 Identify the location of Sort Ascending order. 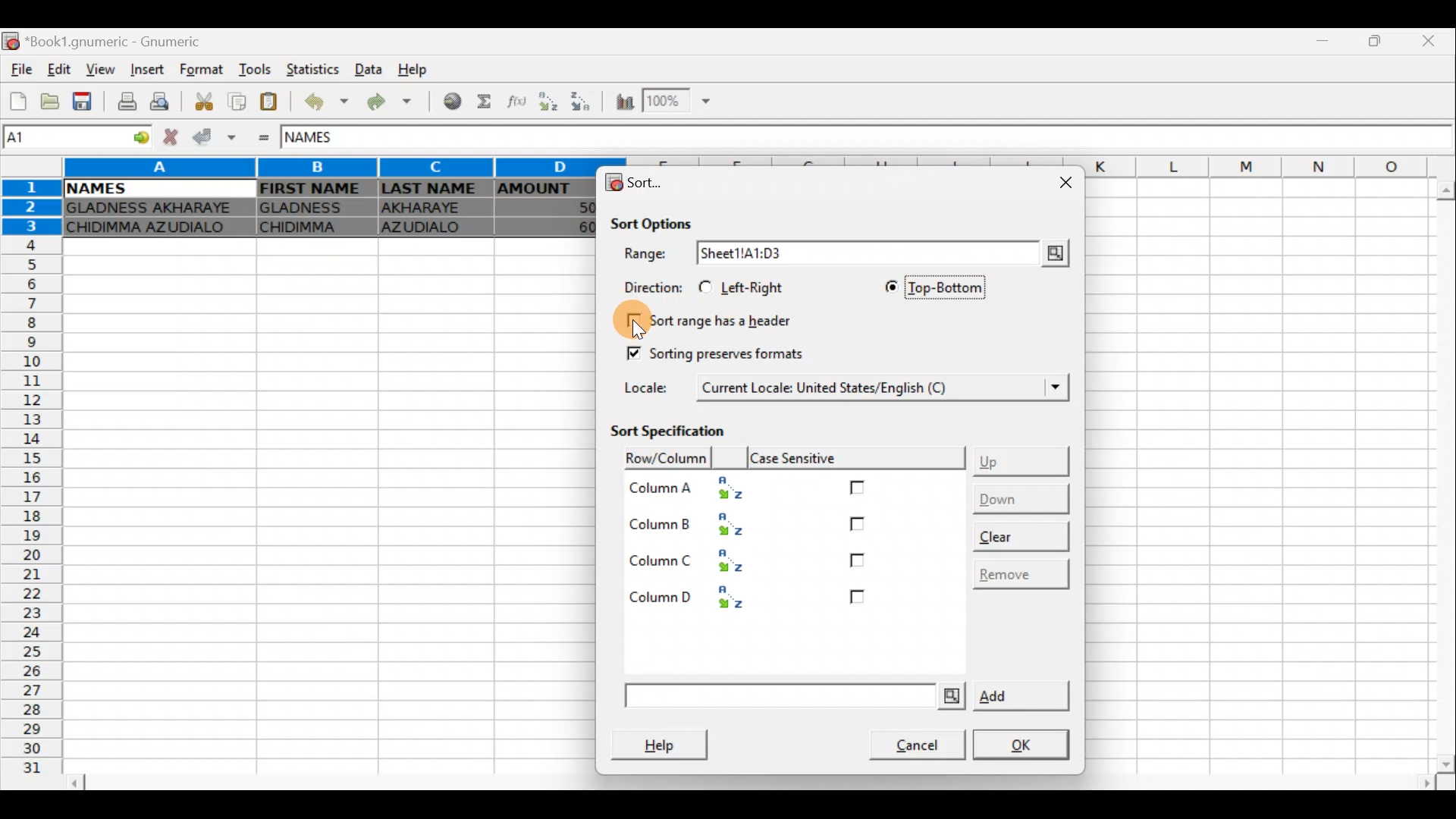
(547, 102).